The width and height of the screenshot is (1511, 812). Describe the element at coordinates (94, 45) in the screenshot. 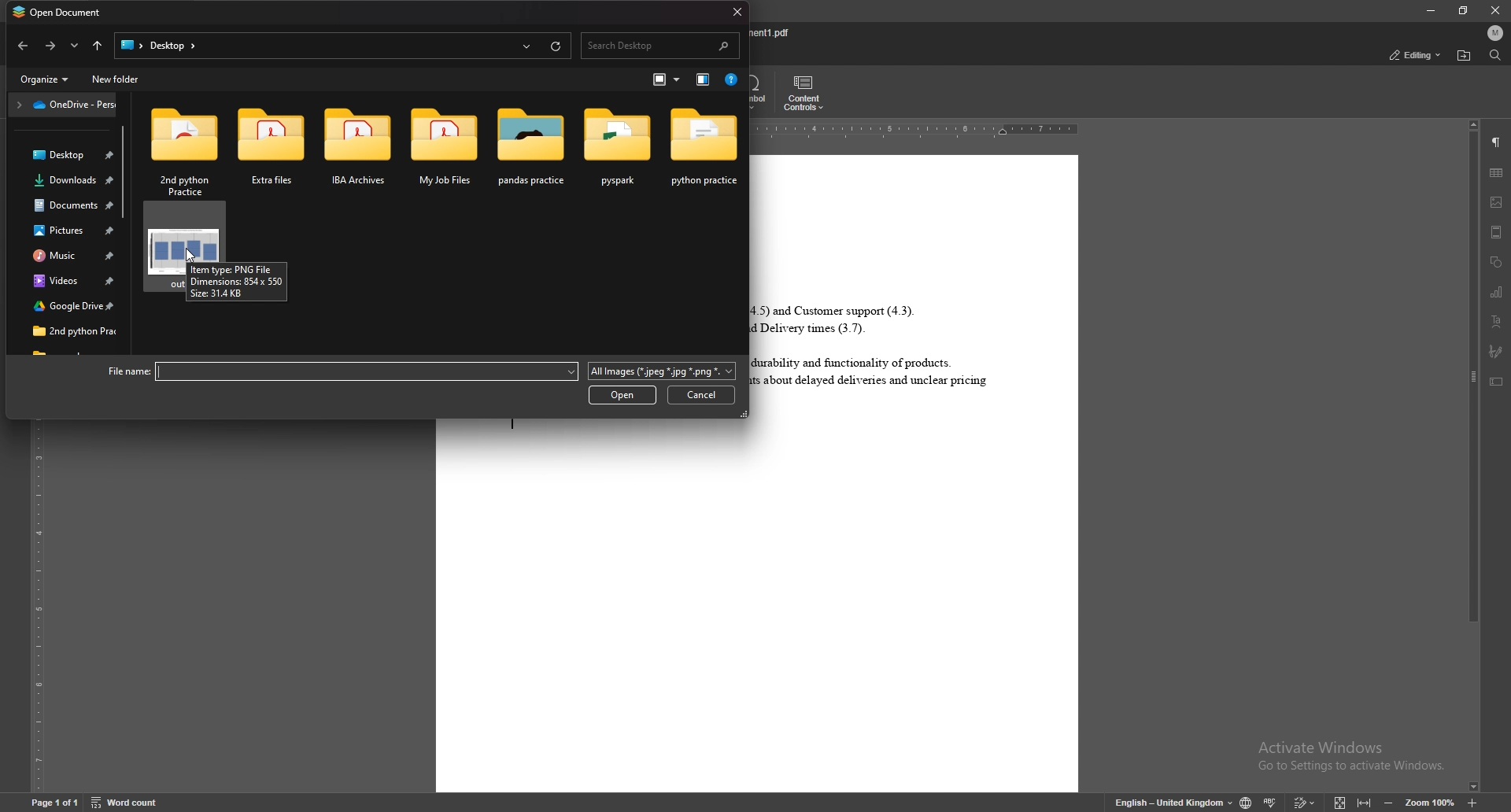

I see `go to parent directory` at that location.